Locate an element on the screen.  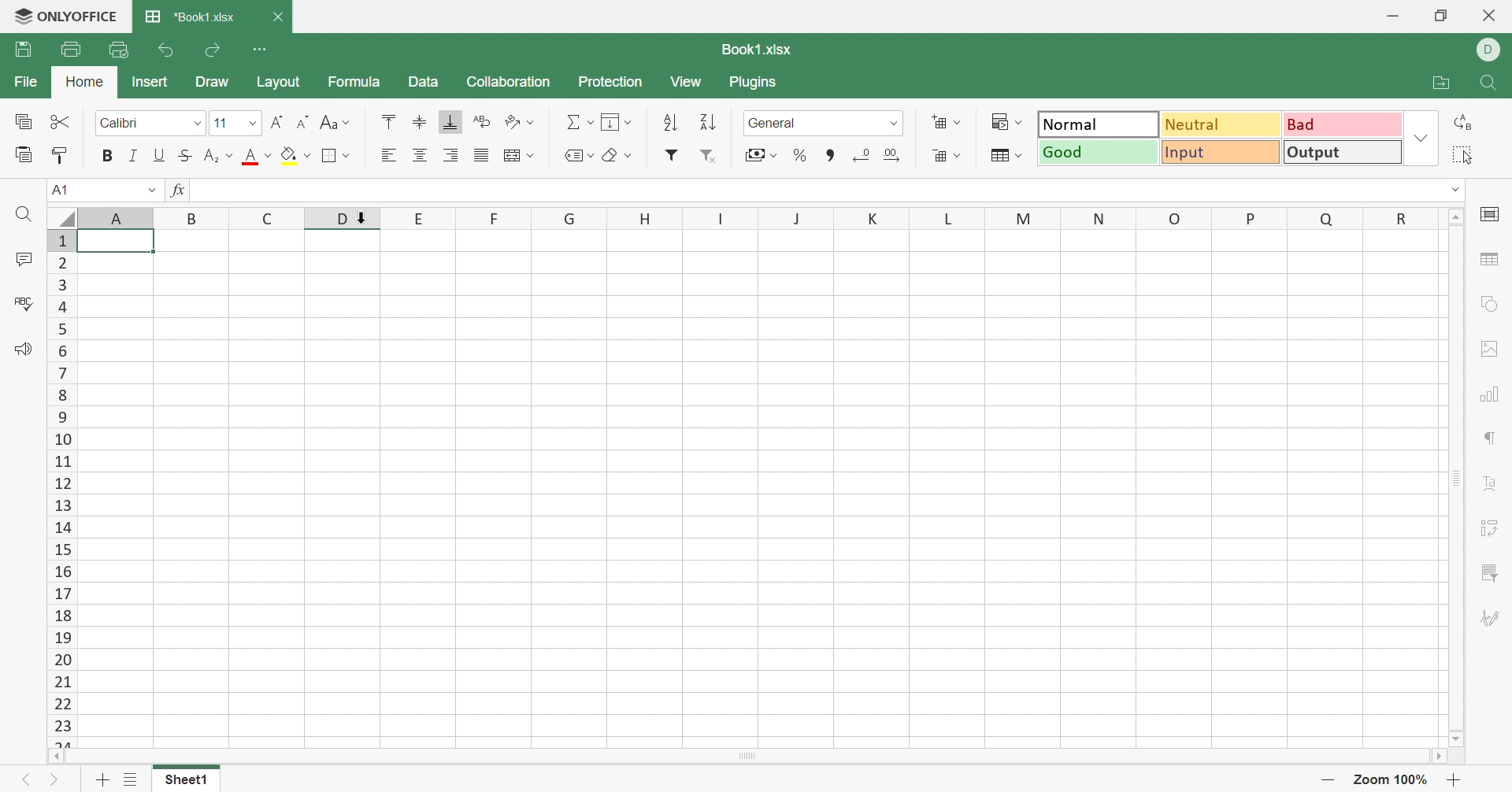
Drop Down is located at coordinates (958, 123).